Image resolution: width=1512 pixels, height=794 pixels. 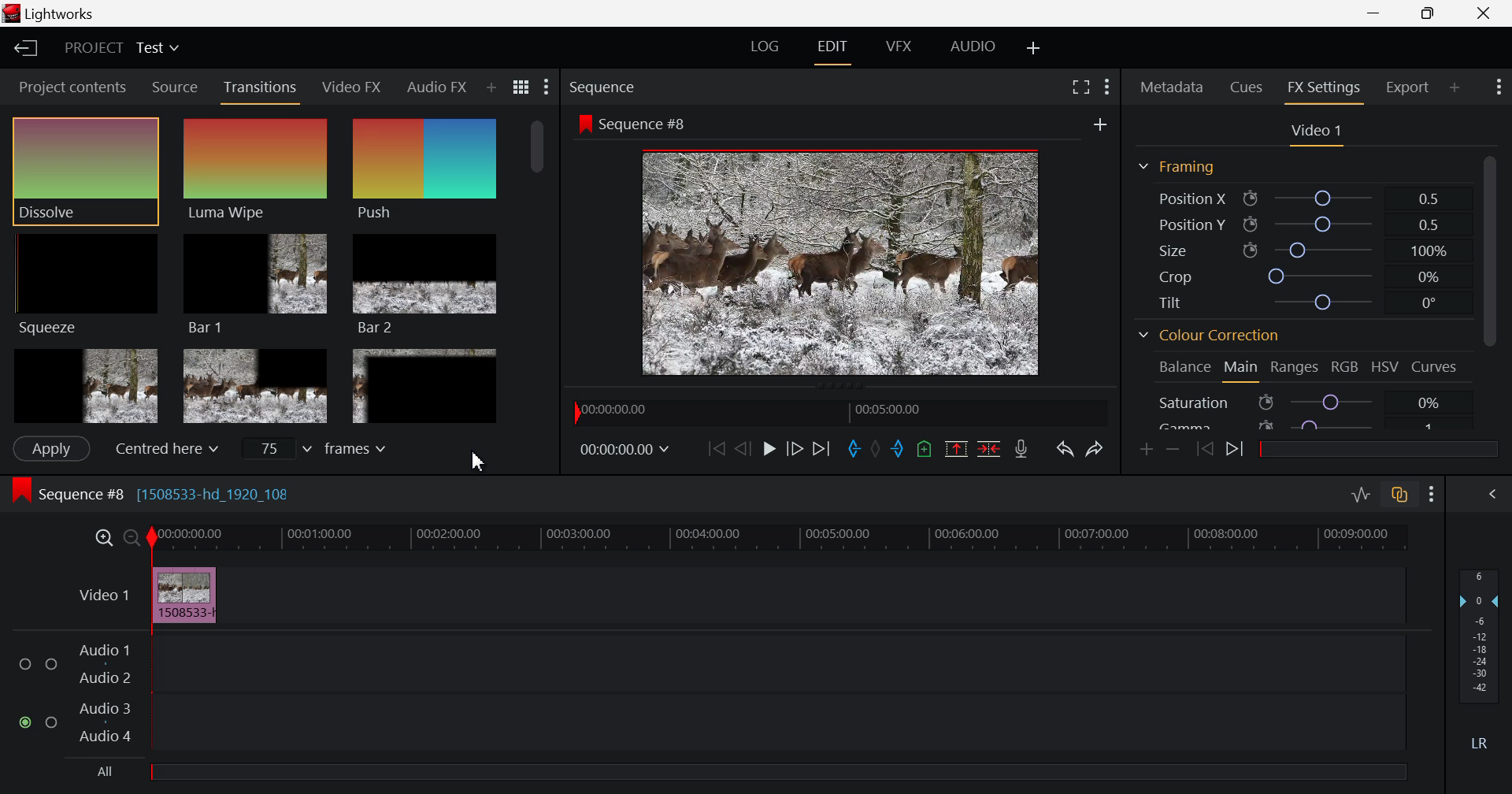 What do you see at coordinates (1388, 369) in the screenshot?
I see `HSV` at bounding box center [1388, 369].